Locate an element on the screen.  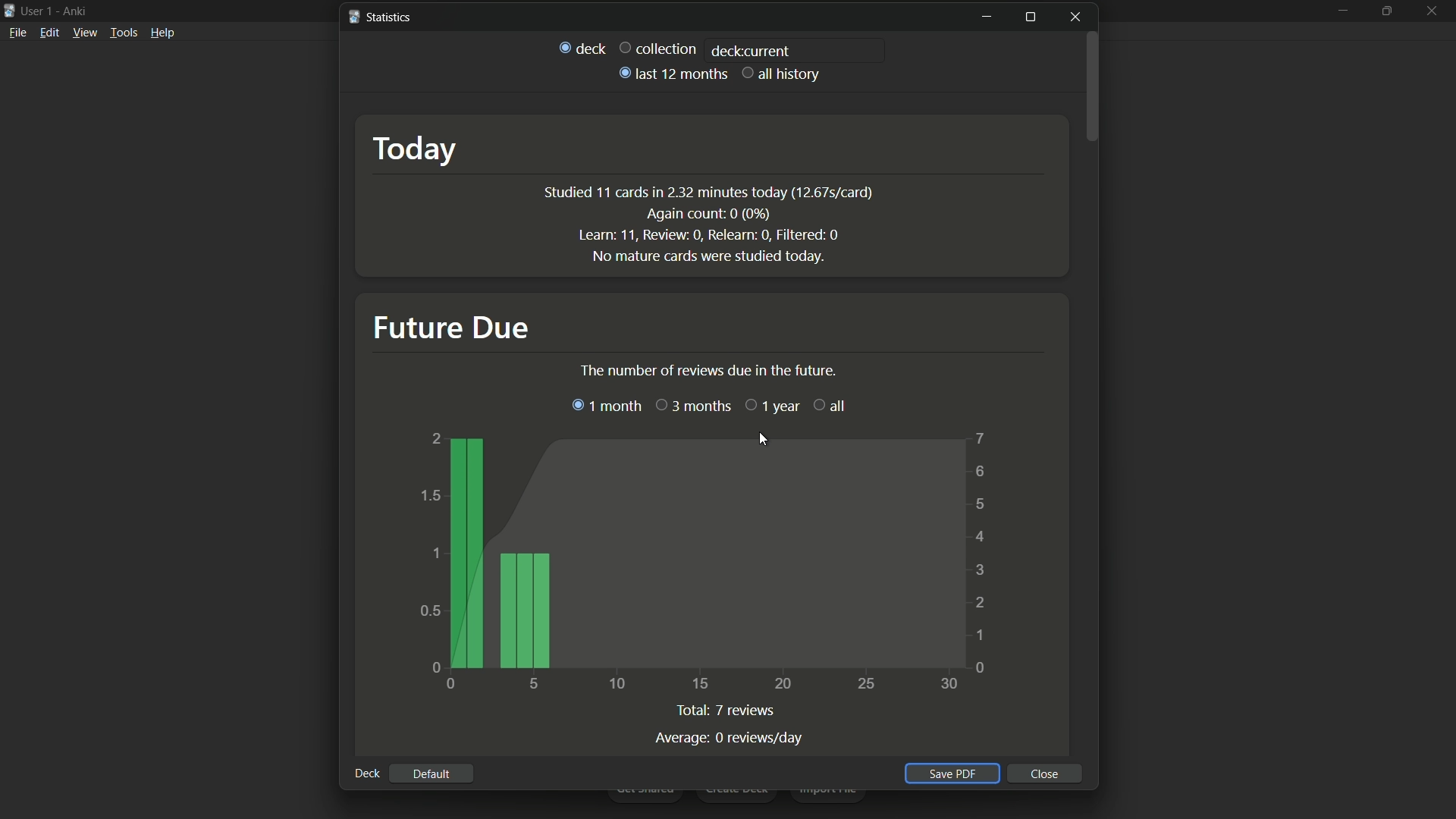
deck is located at coordinates (582, 46).